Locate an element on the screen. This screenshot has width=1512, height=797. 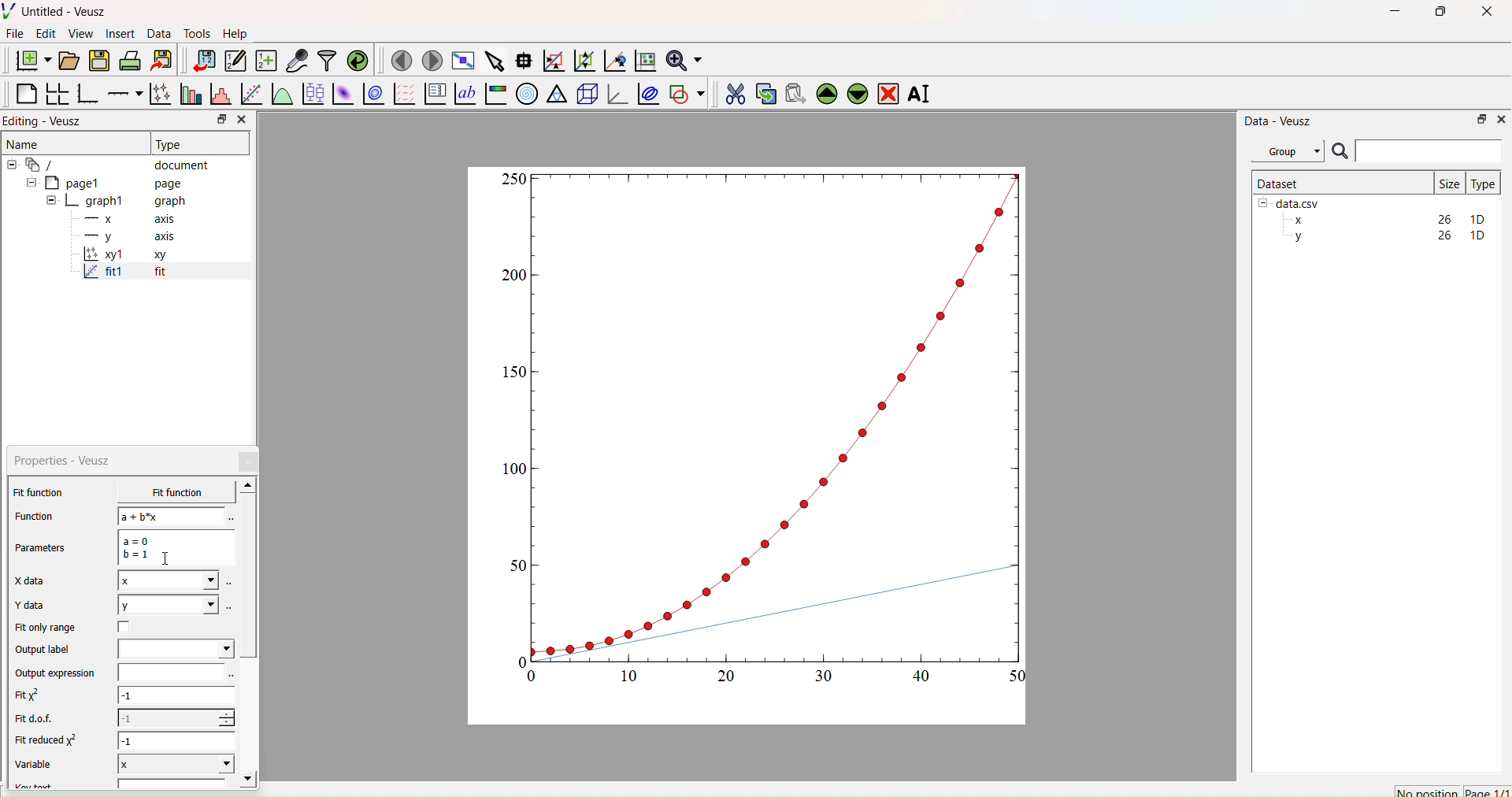
Restore Down is located at coordinates (1477, 118).